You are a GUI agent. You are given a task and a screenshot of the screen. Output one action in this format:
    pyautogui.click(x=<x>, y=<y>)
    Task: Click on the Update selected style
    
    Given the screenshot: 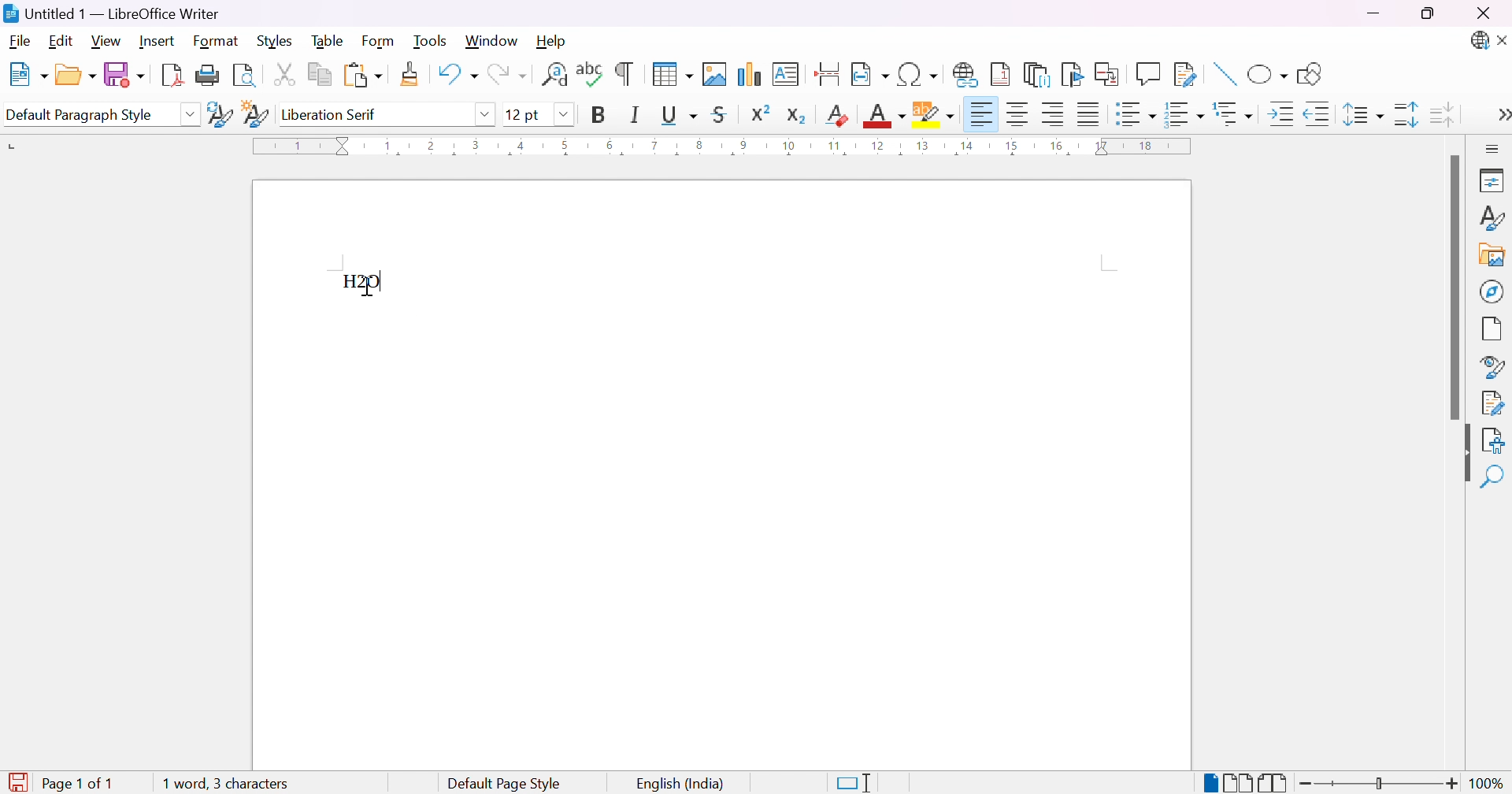 What is the action you would take?
    pyautogui.click(x=220, y=114)
    